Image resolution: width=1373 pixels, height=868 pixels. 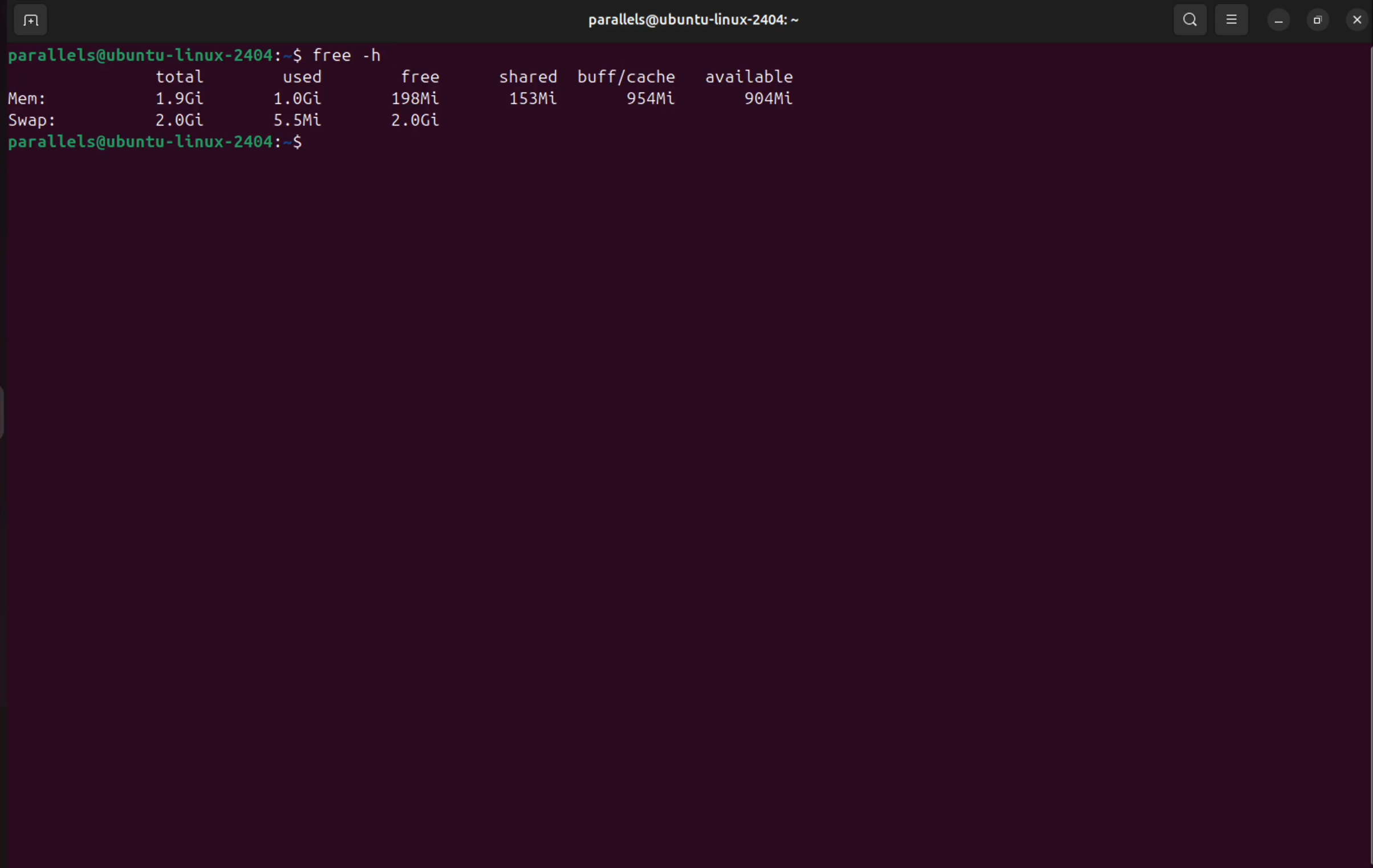 What do you see at coordinates (180, 99) in the screenshot?
I see `1.9Gi` at bounding box center [180, 99].